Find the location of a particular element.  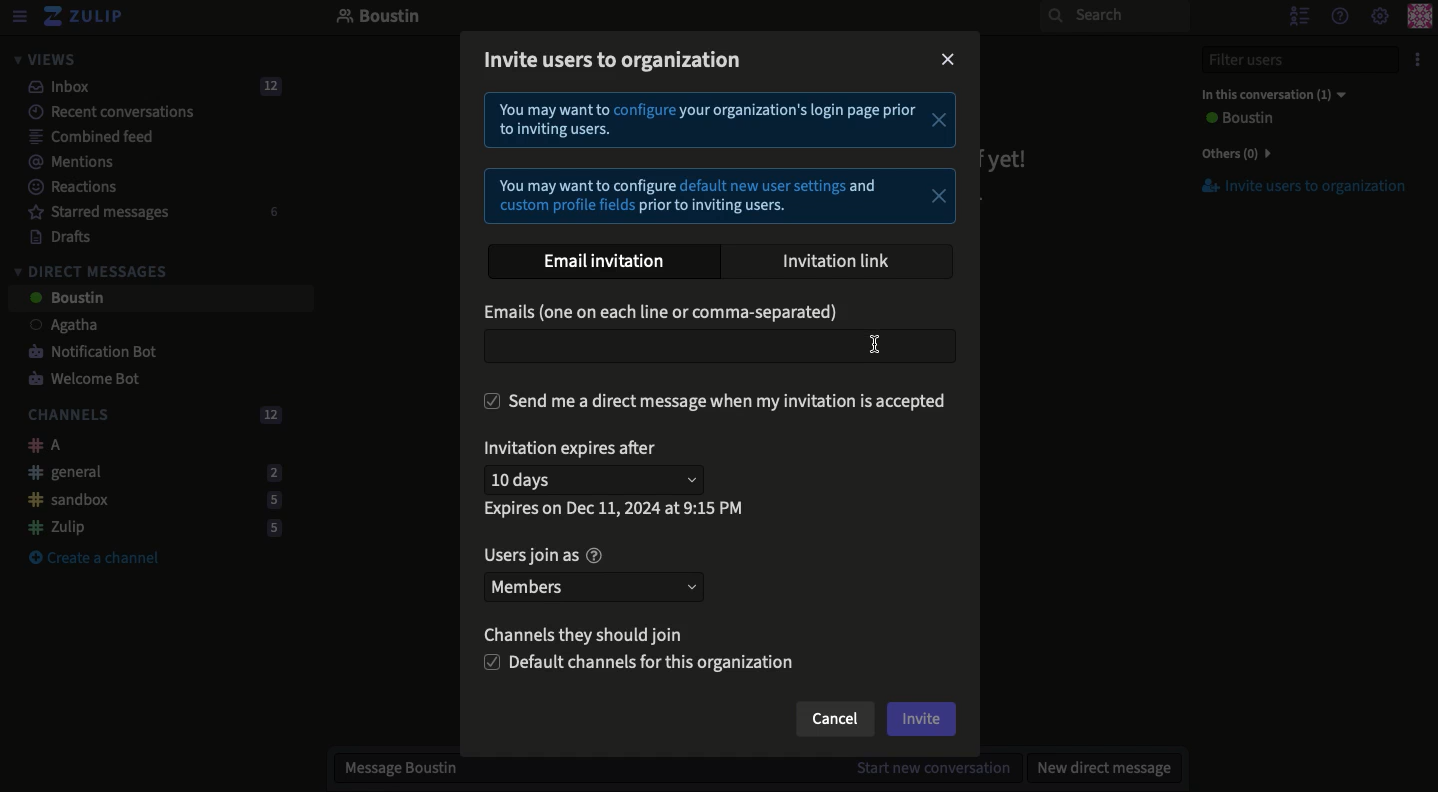

Text box is located at coordinates (717, 349).